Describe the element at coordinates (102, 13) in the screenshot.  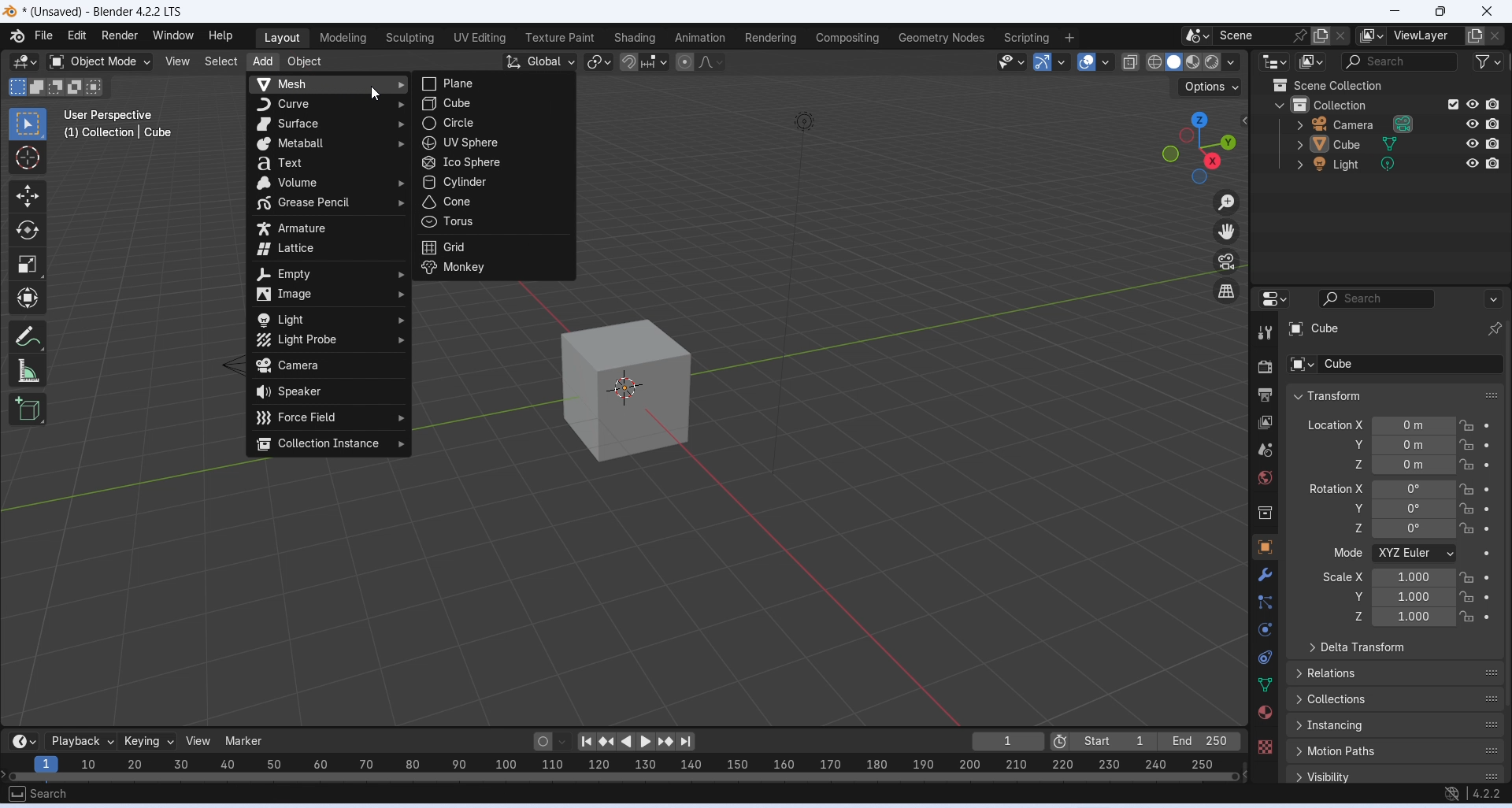
I see `* (Unsaved) - Blender 4.2.2 LTS` at that location.